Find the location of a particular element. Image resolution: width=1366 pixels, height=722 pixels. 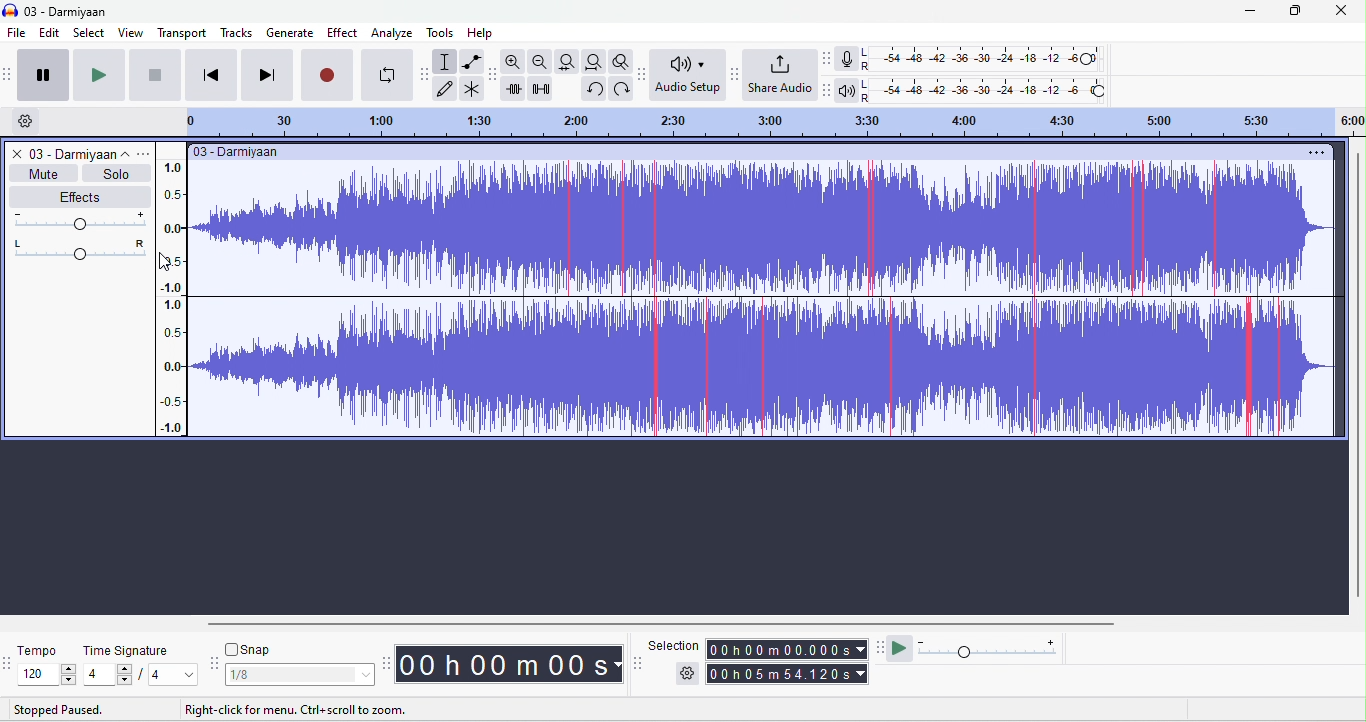

snap is located at coordinates (257, 648).